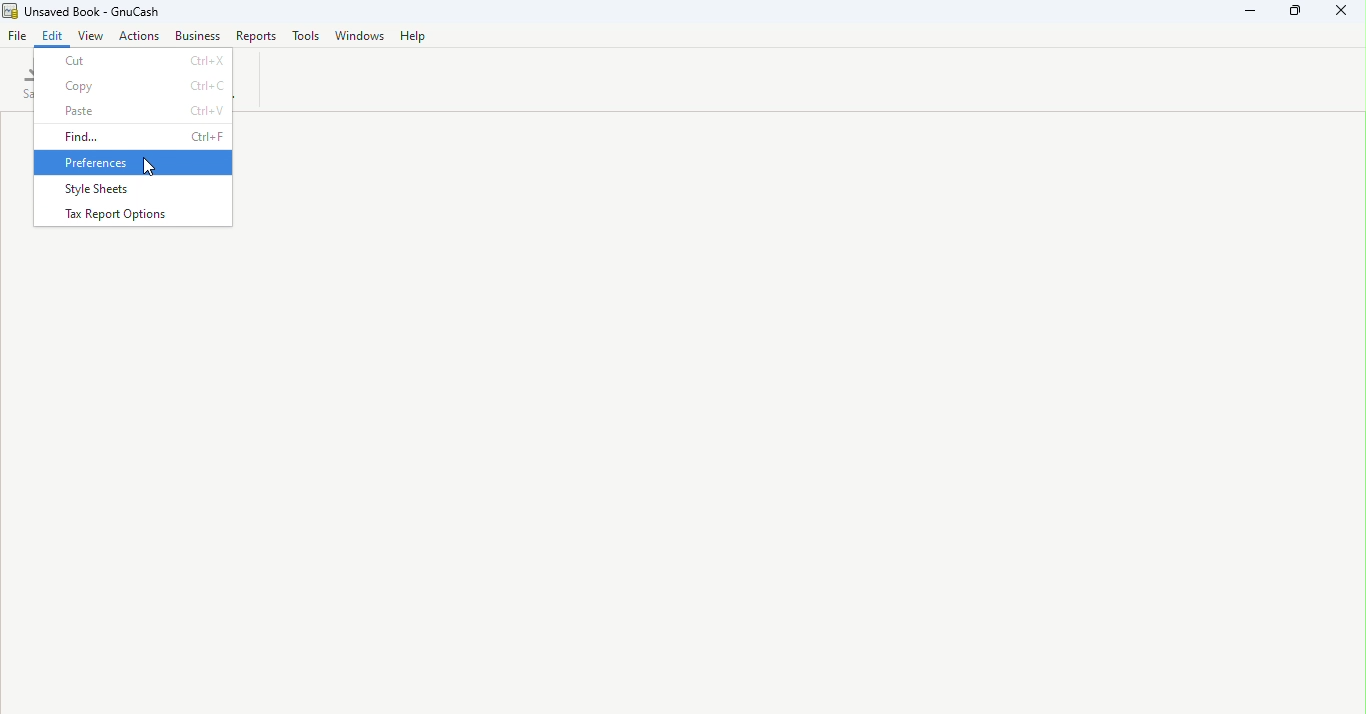 The image size is (1366, 714). What do you see at coordinates (135, 163) in the screenshot?
I see `Preferences` at bounding box center [135, 163].